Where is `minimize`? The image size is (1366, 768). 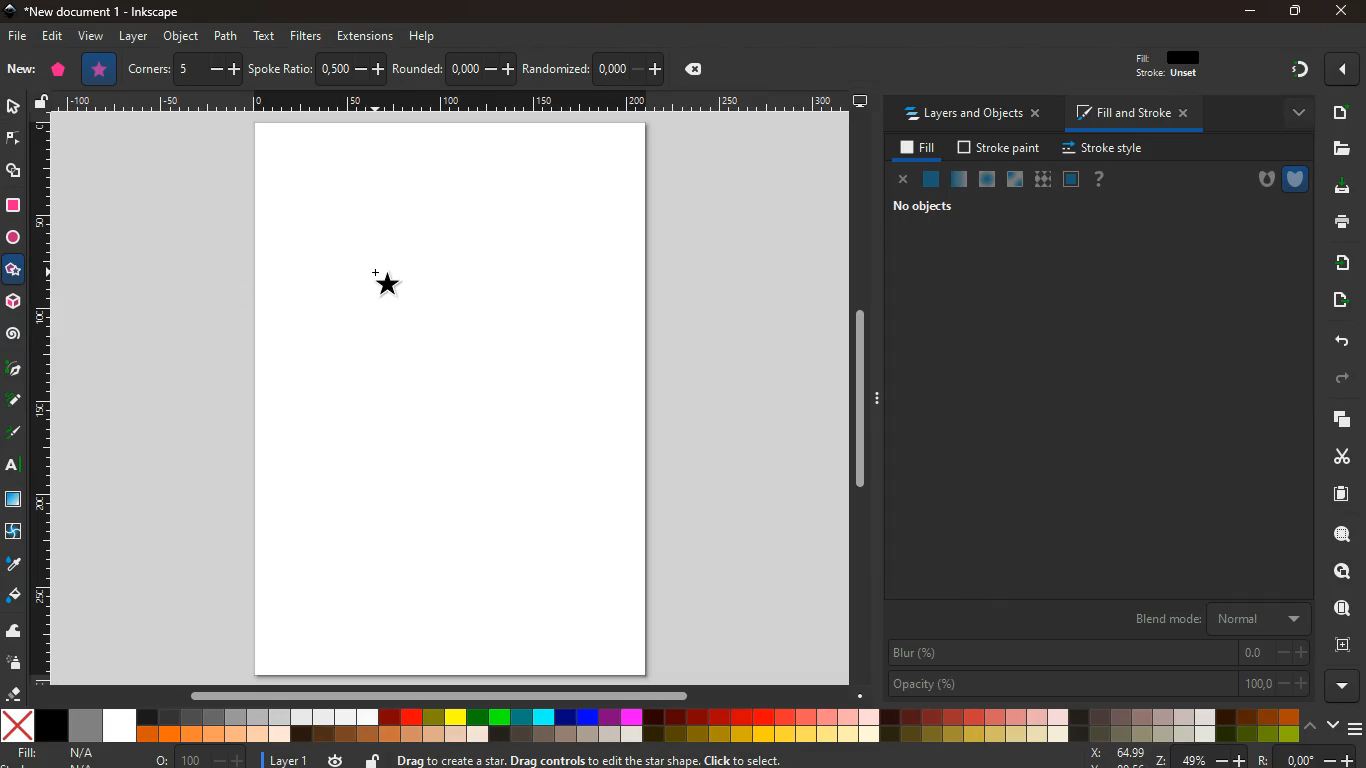 minimize is located at coordinates (1251, 12).